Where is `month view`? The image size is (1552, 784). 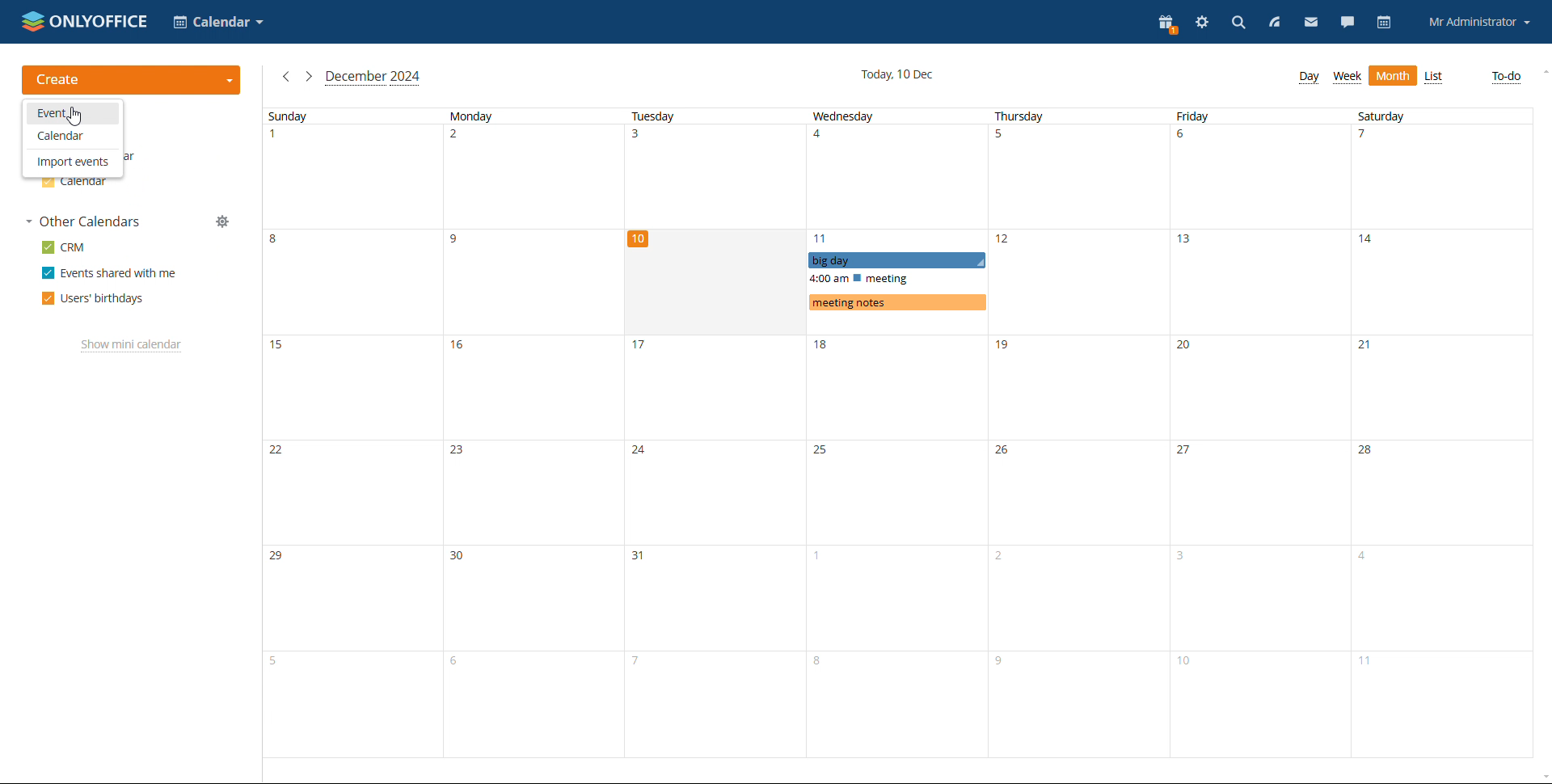
month view is located at coordinates (1394, 76).